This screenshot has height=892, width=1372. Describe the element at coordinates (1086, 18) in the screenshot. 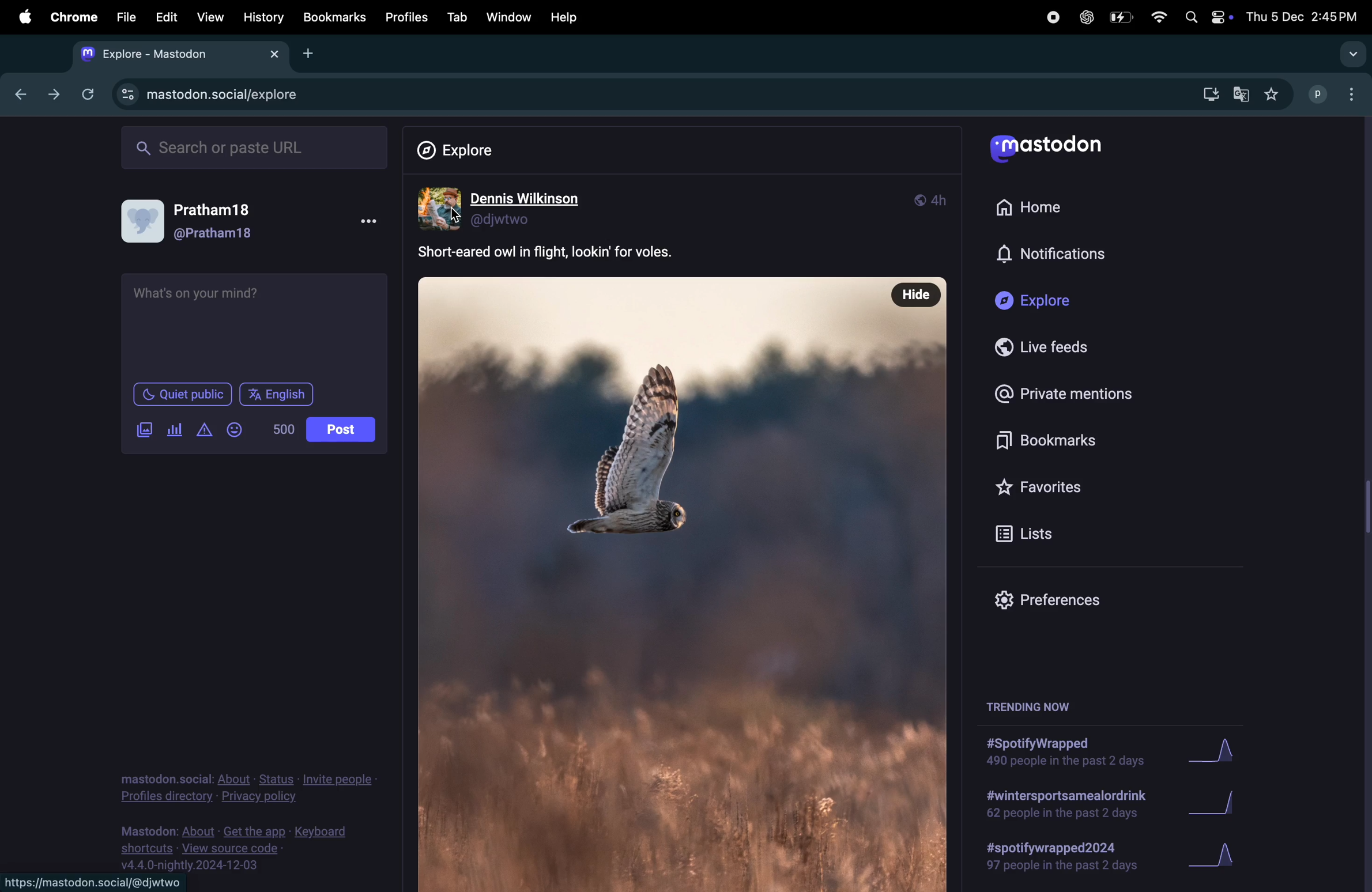

I see `chatgpt` at that location.